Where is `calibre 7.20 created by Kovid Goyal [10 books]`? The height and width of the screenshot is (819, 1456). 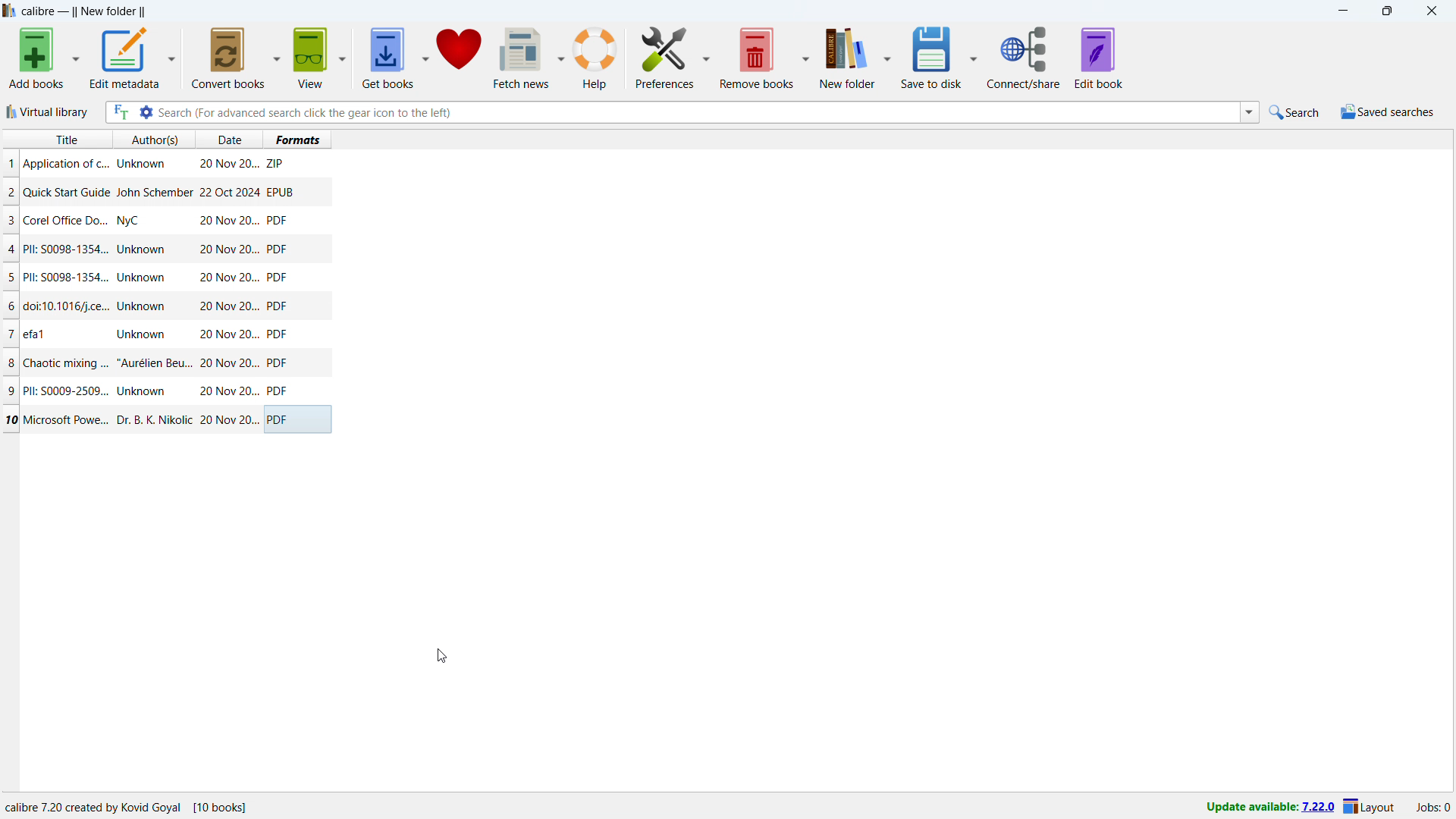
calibre 7.20 created by Kovid Goyal [10 books] is located at coordinates (127, 808).